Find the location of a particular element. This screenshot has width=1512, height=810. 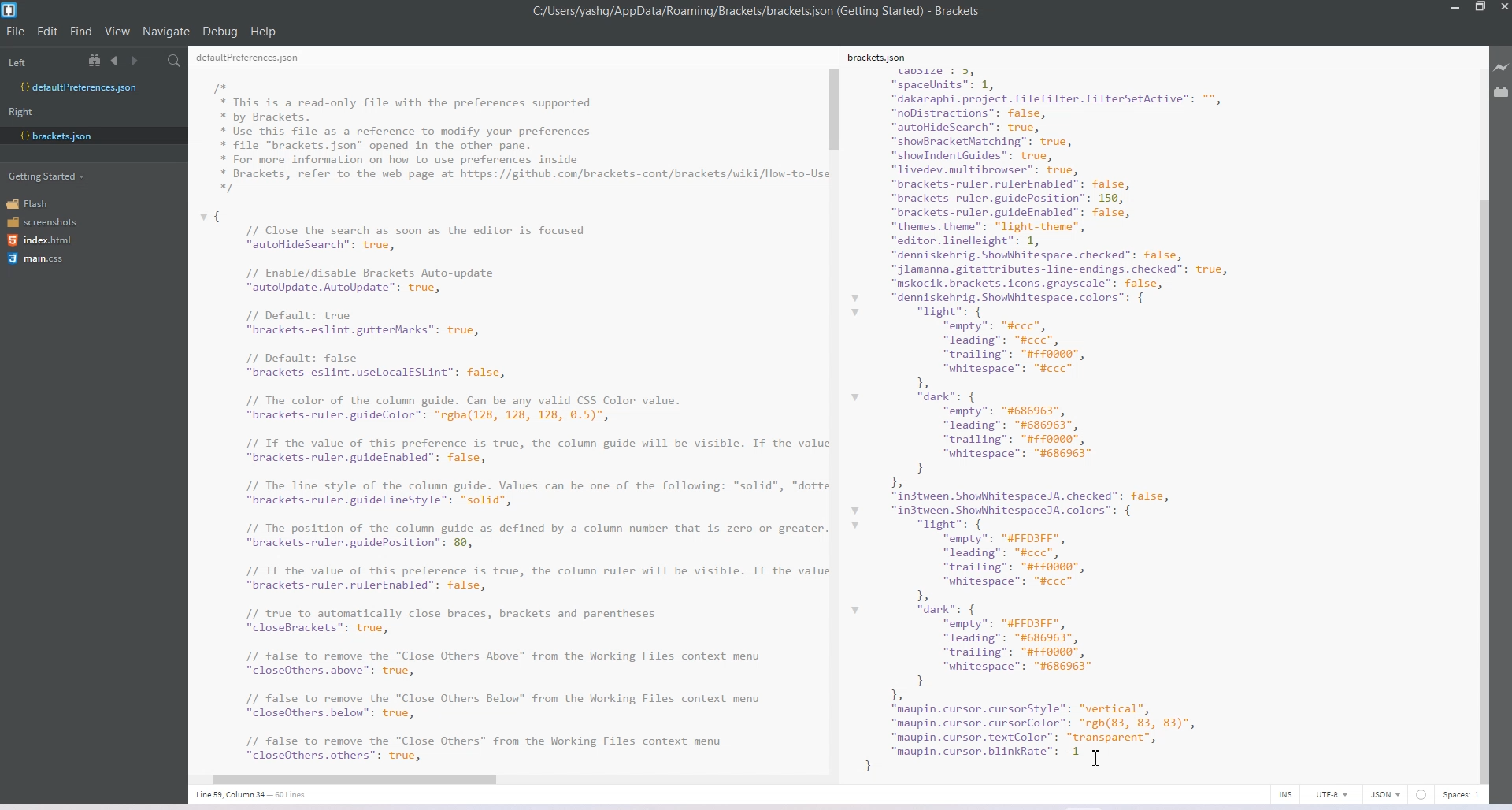

Spaces 1 is located at coordinates (1462, 795).